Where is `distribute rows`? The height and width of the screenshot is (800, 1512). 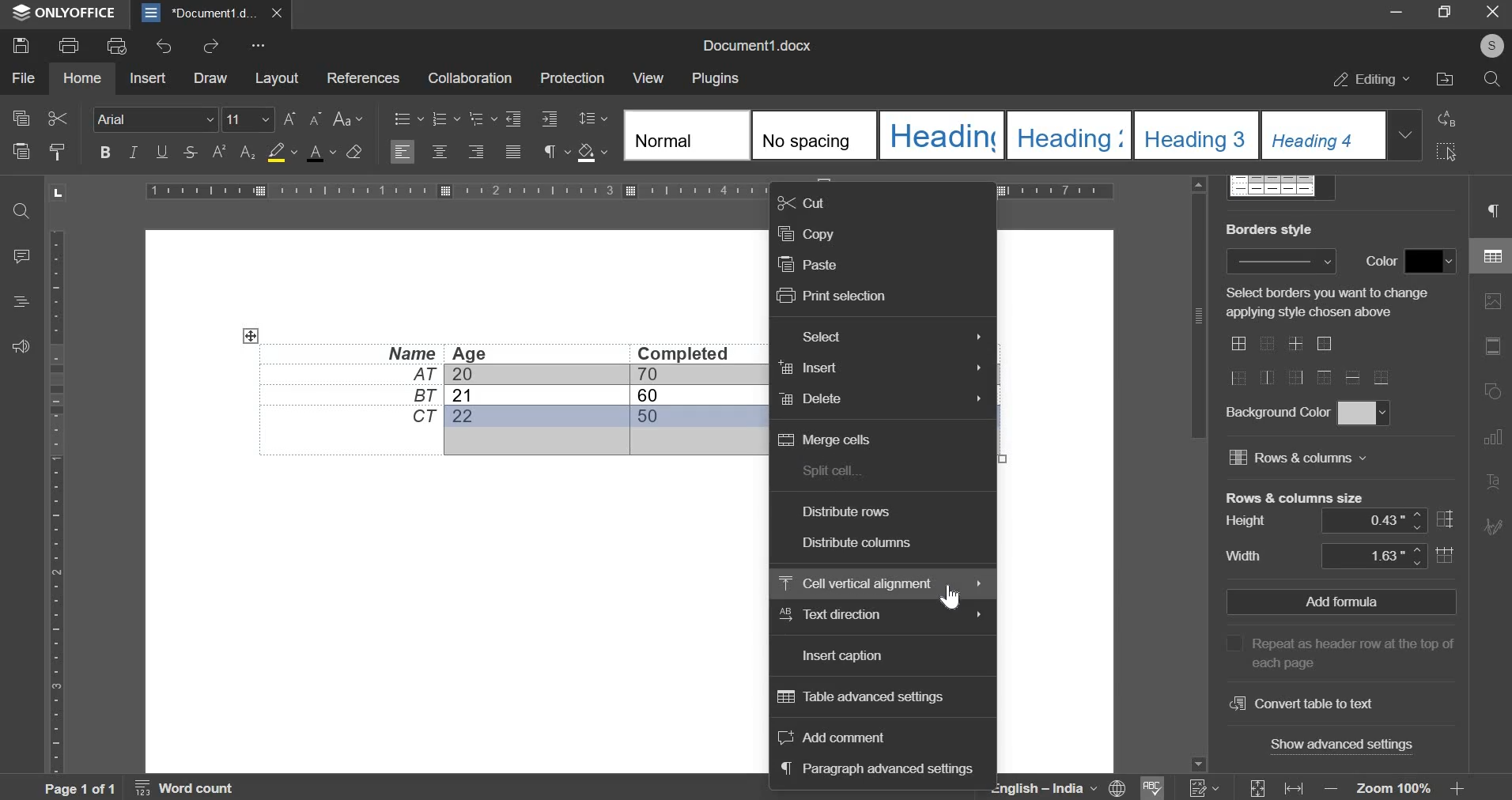 distribute rows is located at coordinates (848, 511).